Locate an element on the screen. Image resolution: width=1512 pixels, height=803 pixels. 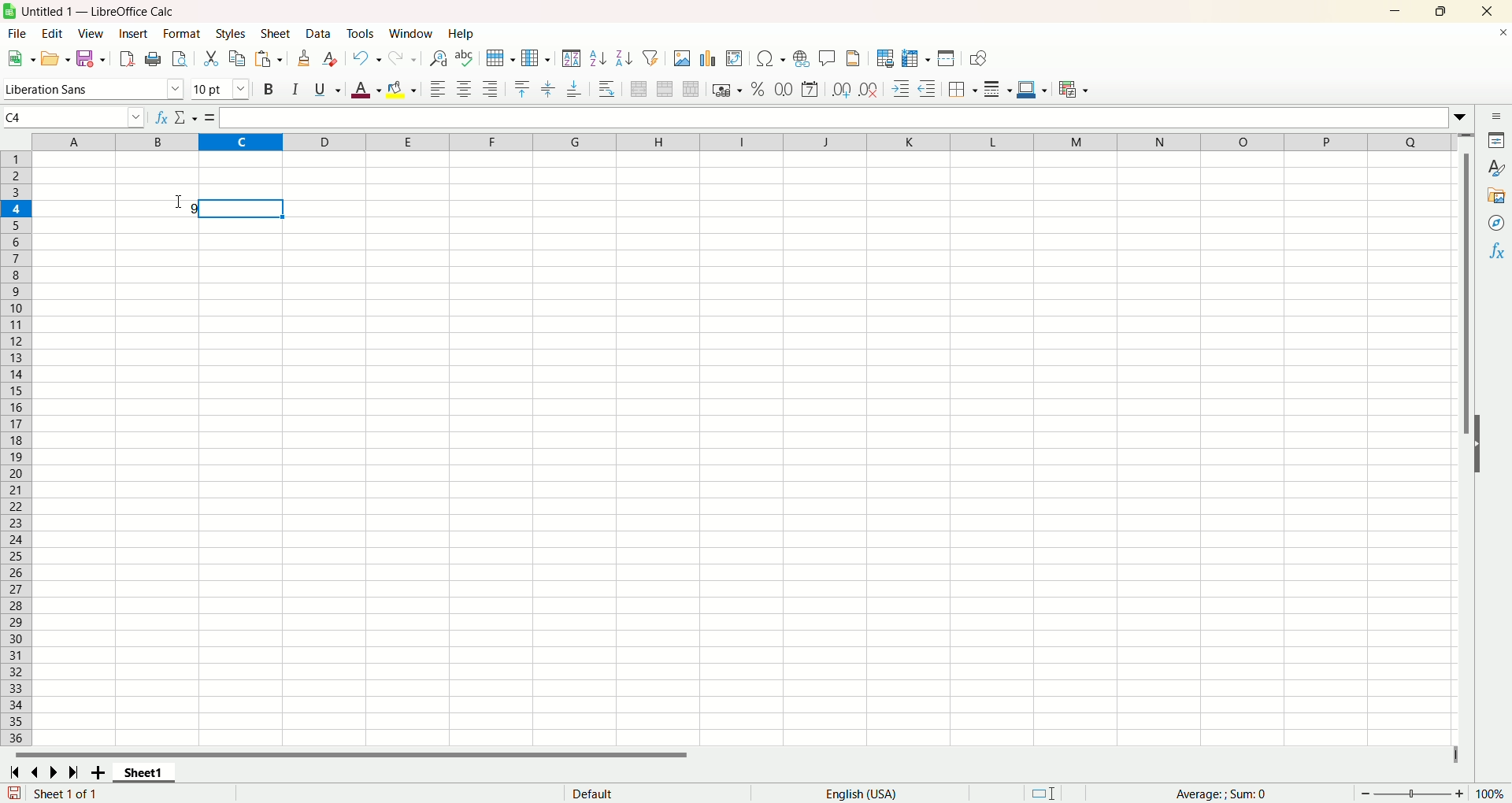
data is located at coordinates (321, 34).